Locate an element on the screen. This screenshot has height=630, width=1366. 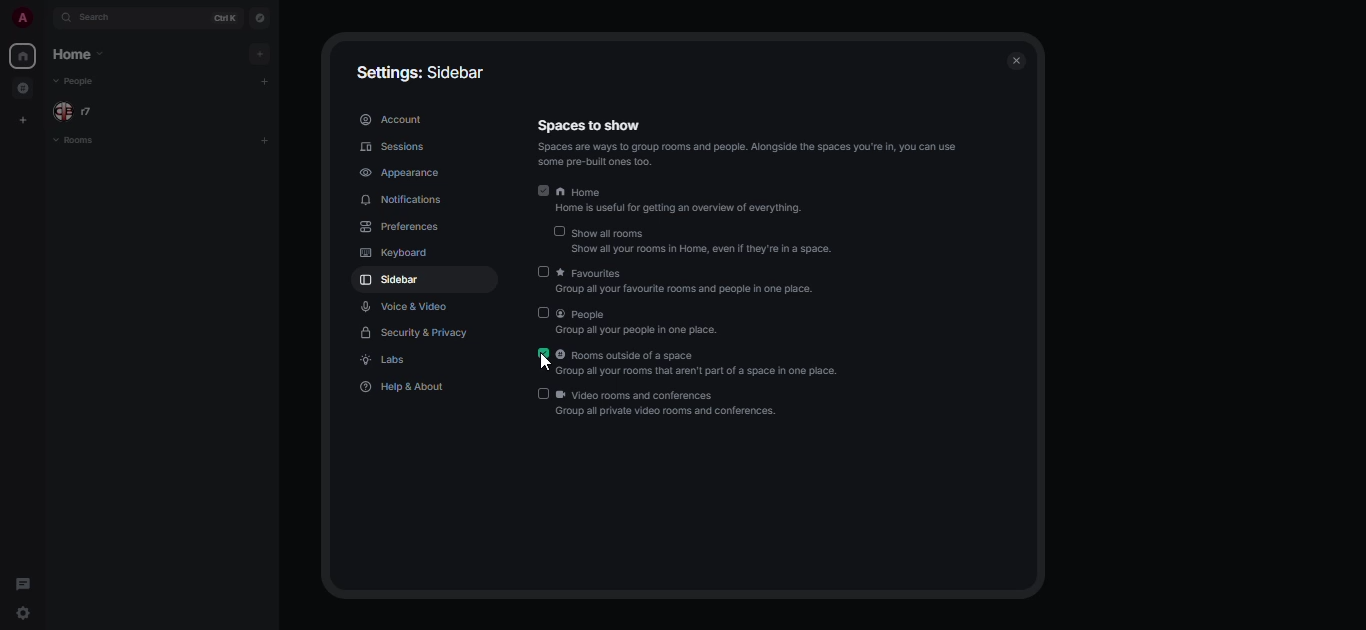
expand is located at coordinates (45, 19).